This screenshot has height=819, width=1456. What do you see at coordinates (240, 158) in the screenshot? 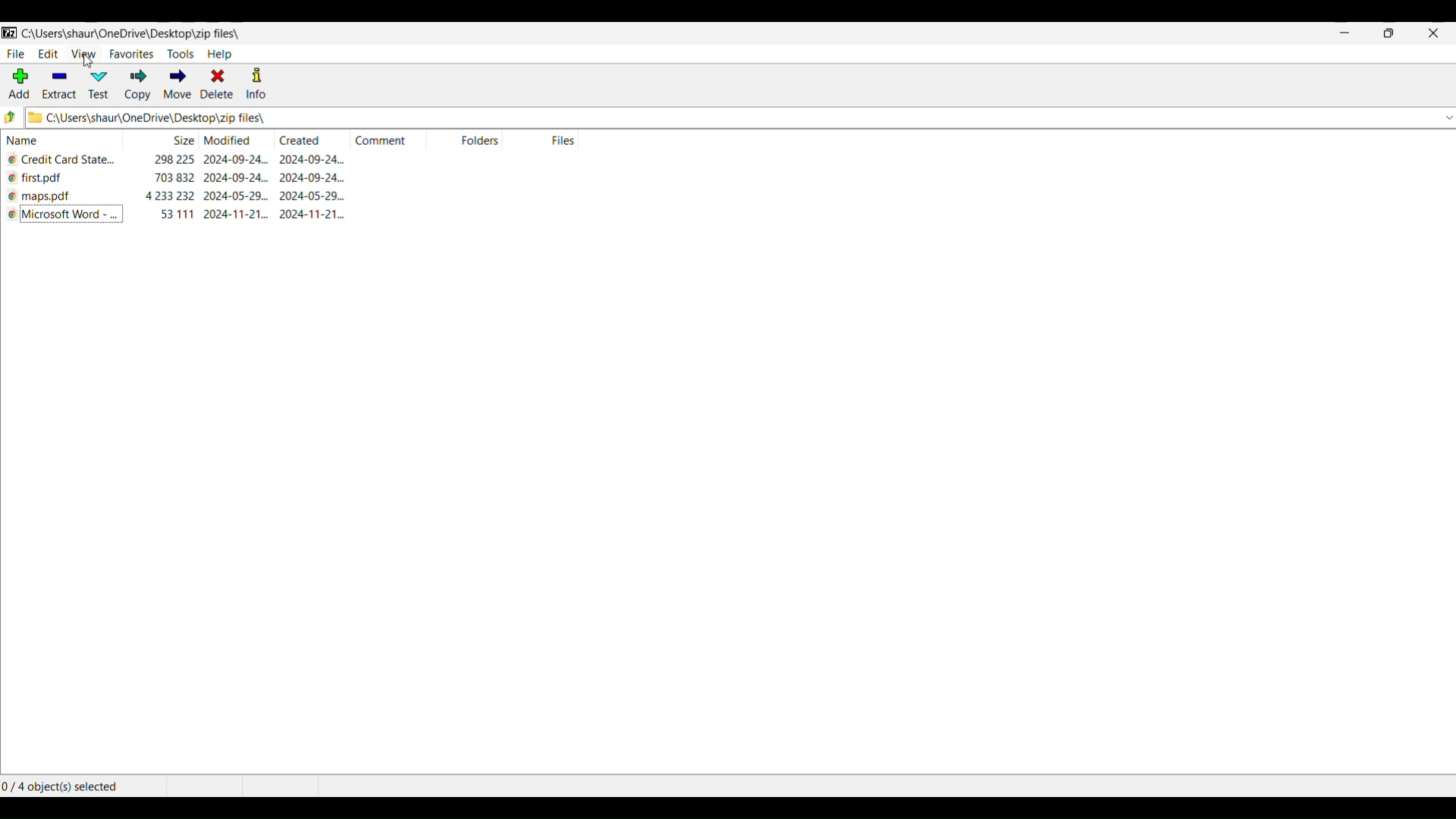
I see `` at bounding box center [240, 158].